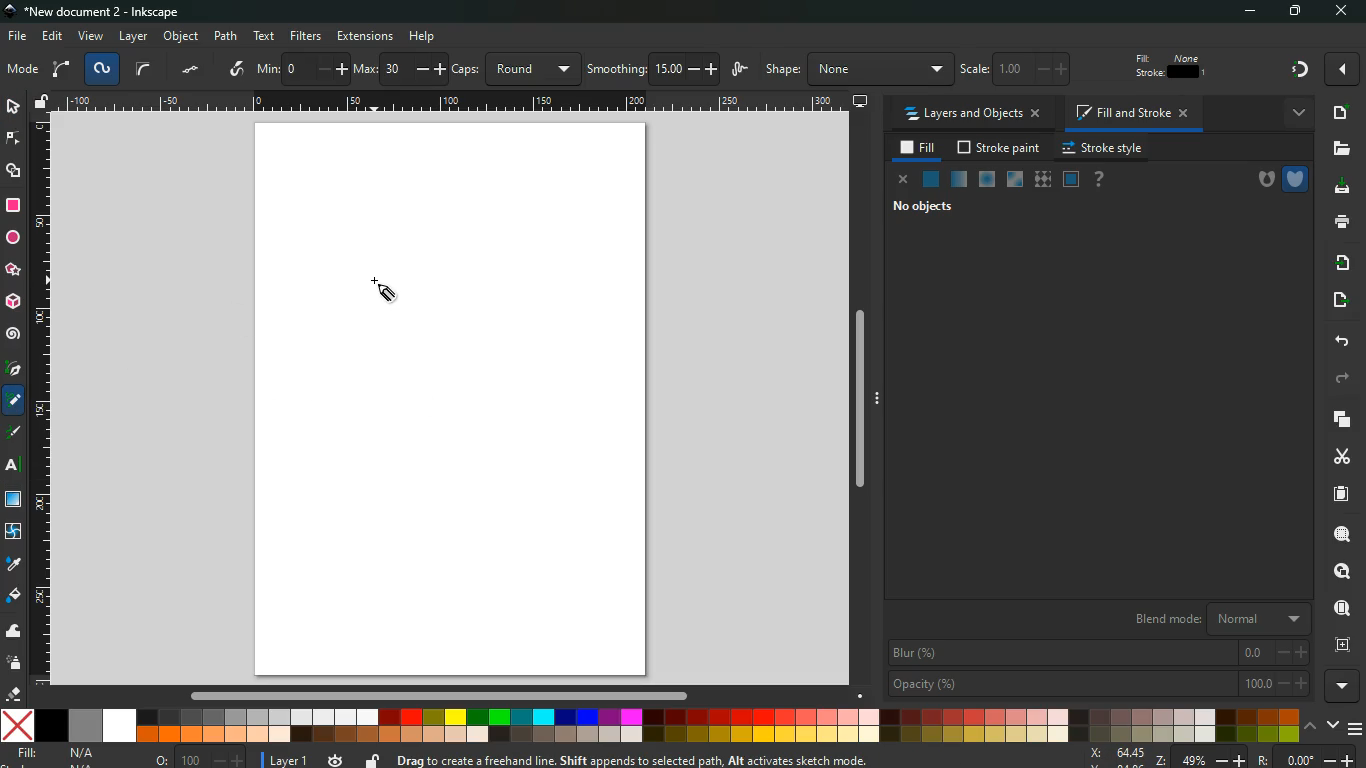 The height and width of the screenshot is (768, 1366). Describe the element at coordinates (1344, 379) in the screenshot. I see `forward` at that location.